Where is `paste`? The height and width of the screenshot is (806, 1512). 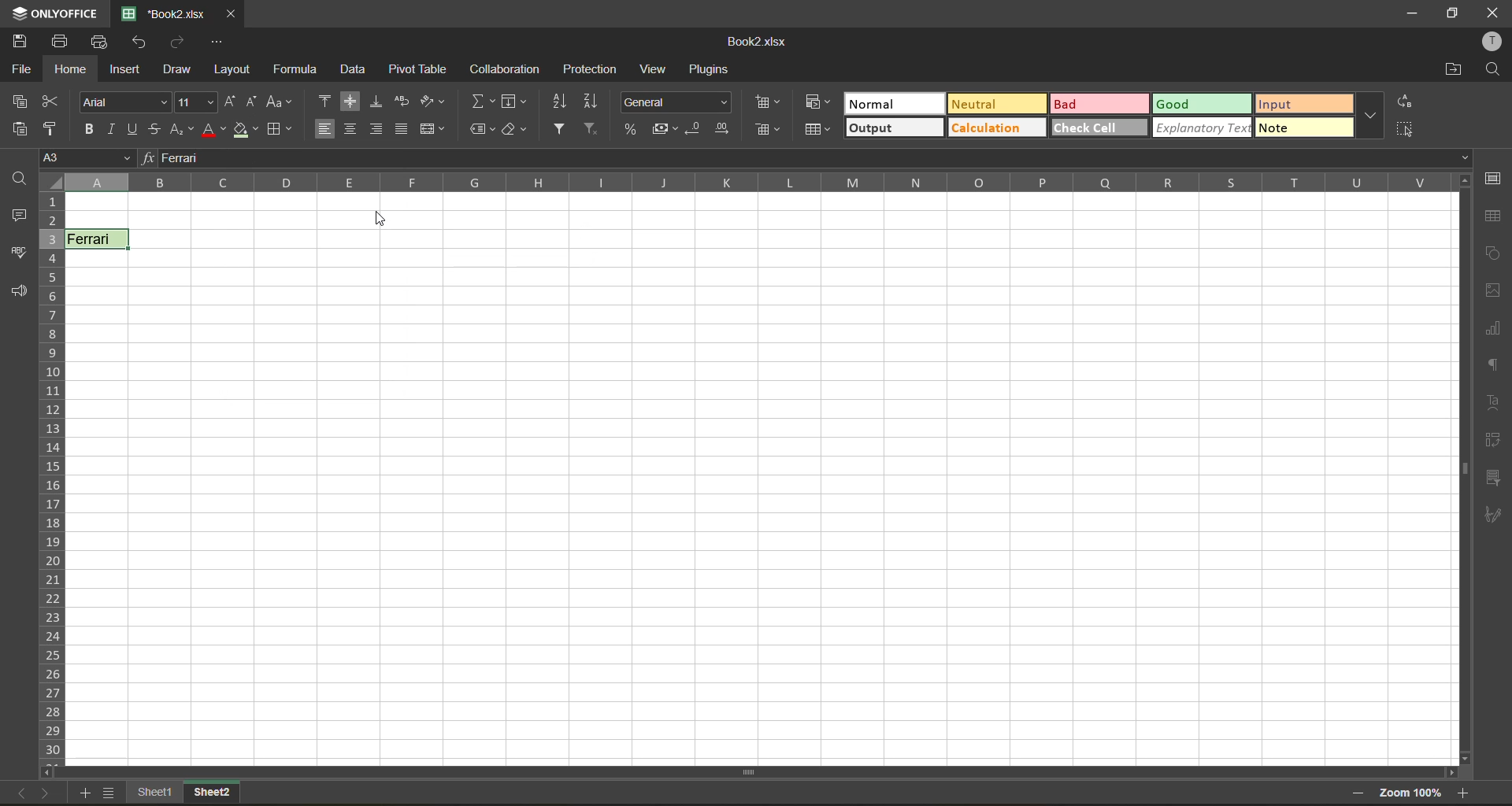
paste is located at coordinates (18, 130).